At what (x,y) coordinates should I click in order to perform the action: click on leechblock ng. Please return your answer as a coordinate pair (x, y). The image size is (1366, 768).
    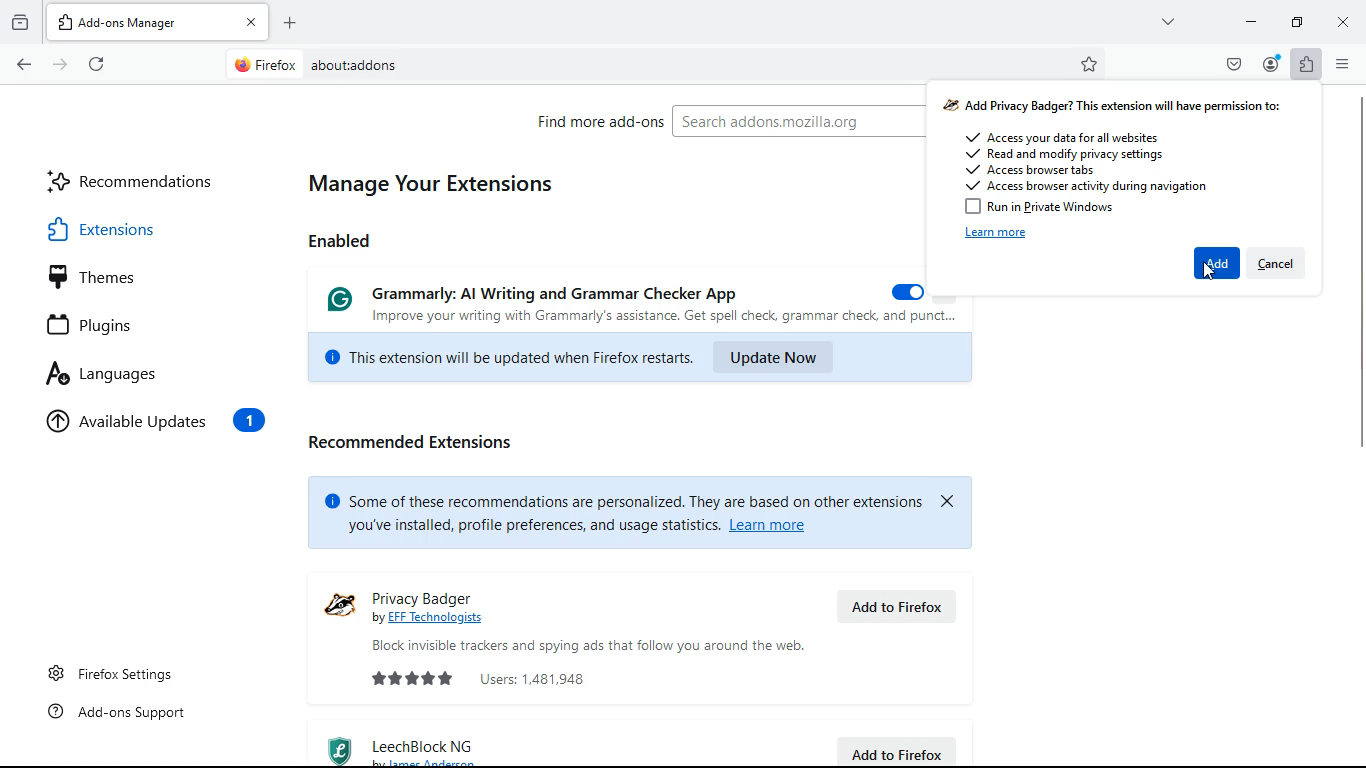
    Looking at the image, I should click on (429, 745).